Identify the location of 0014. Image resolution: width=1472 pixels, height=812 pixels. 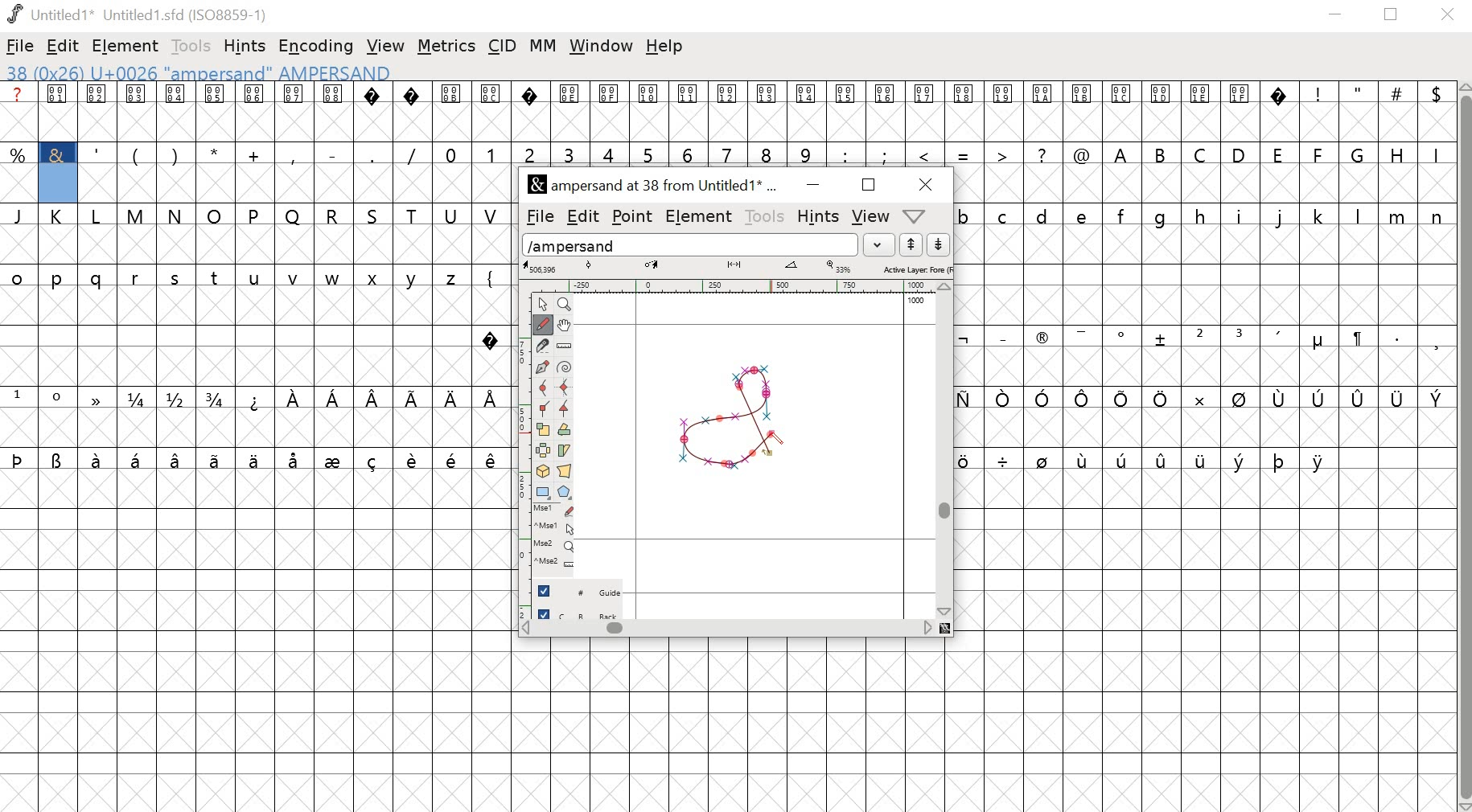
(807, 112).